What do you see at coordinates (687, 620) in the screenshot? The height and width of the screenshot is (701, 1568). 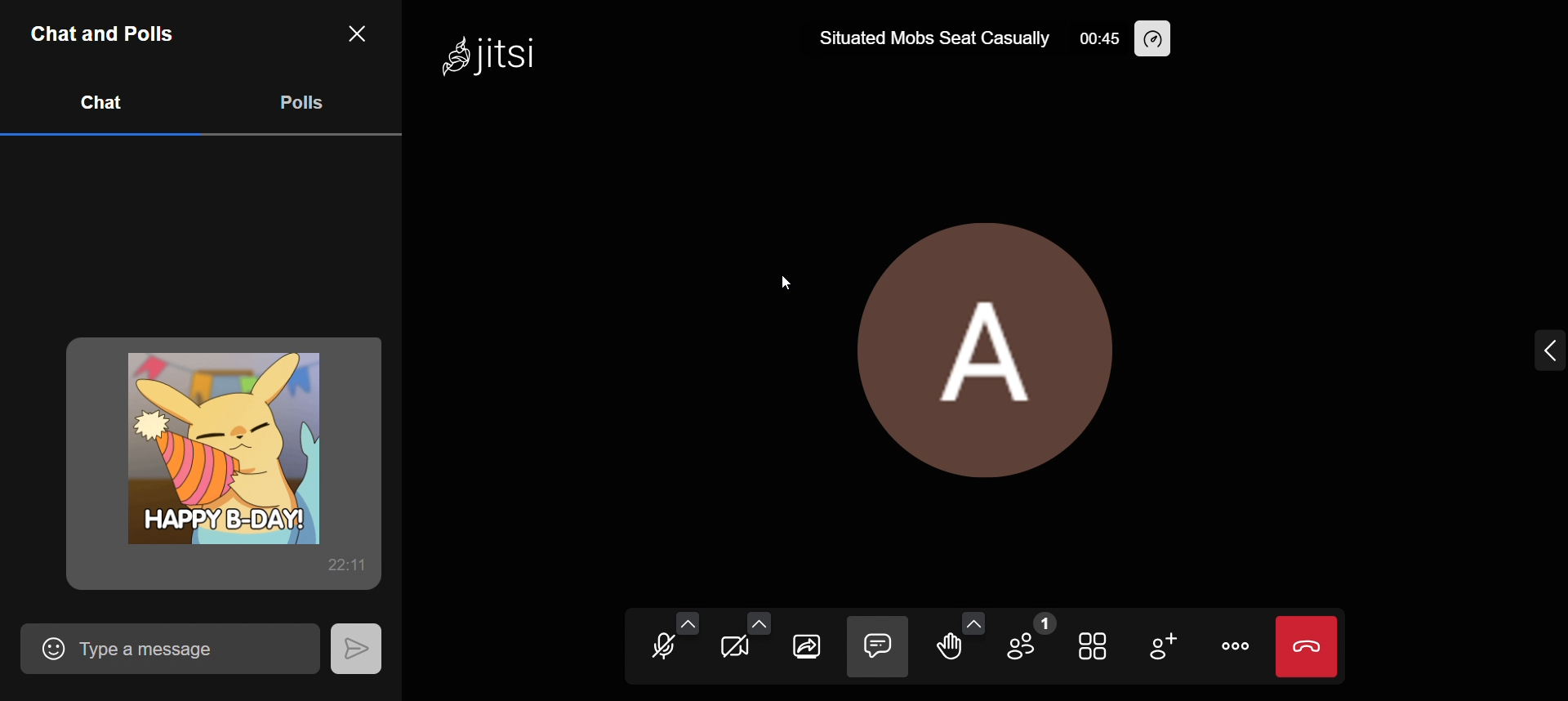 I see `audio setting` at bounding box center [687, 620].